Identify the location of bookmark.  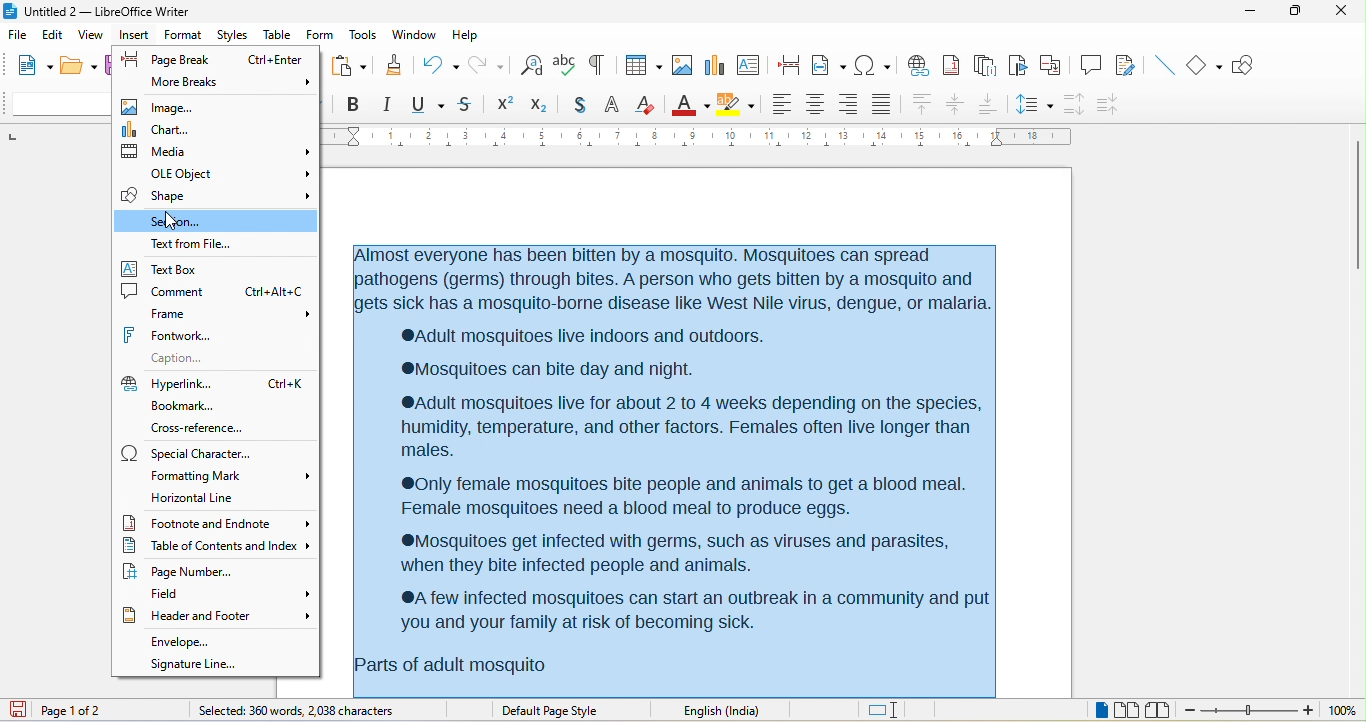
(1017, 68).